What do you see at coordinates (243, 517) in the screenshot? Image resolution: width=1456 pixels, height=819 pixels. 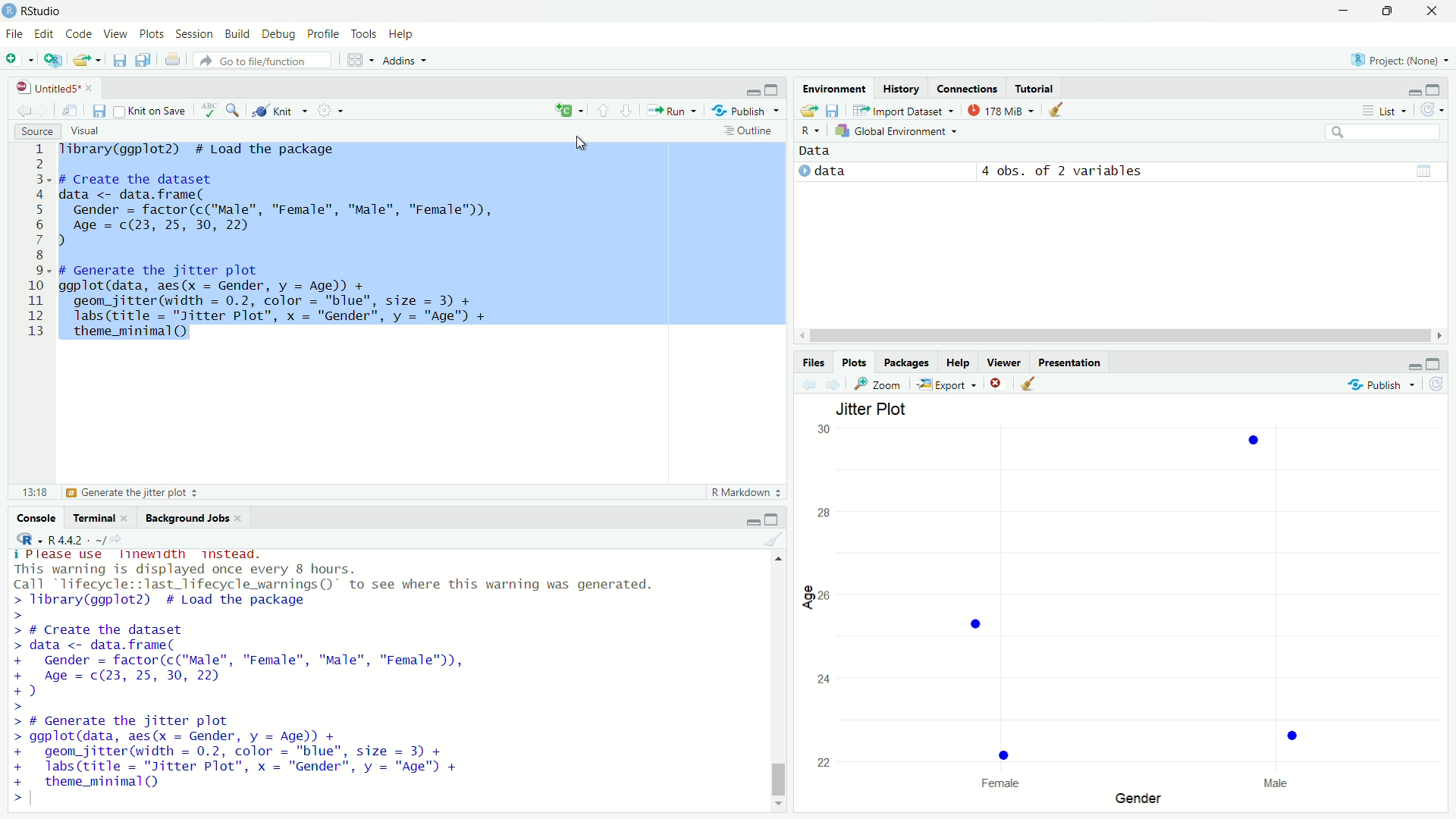 I see `close` at bounding box center [243, 517].